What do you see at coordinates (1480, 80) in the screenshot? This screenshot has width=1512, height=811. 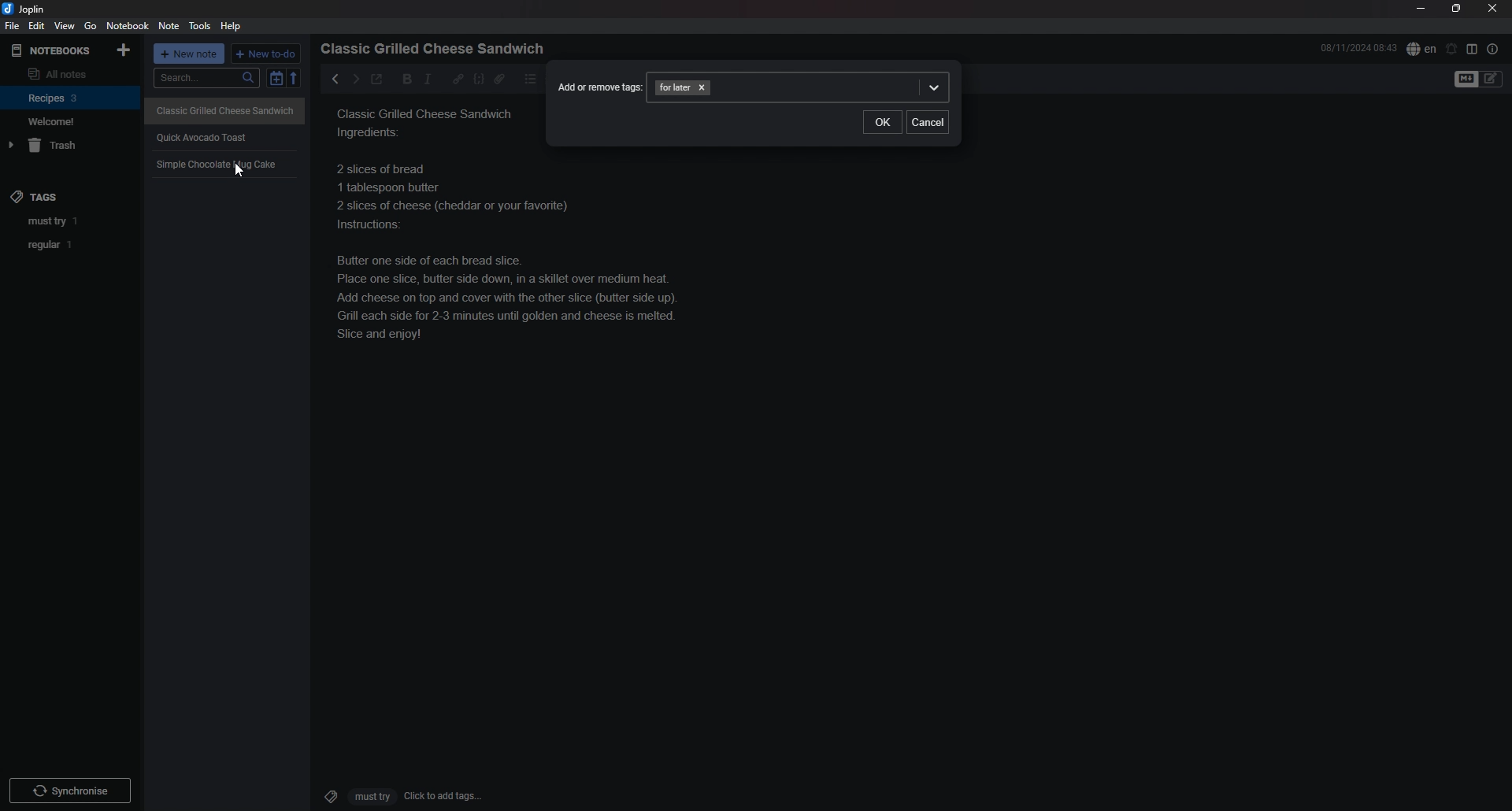 I see `toggle editor` at bounding box center [1480, 80].